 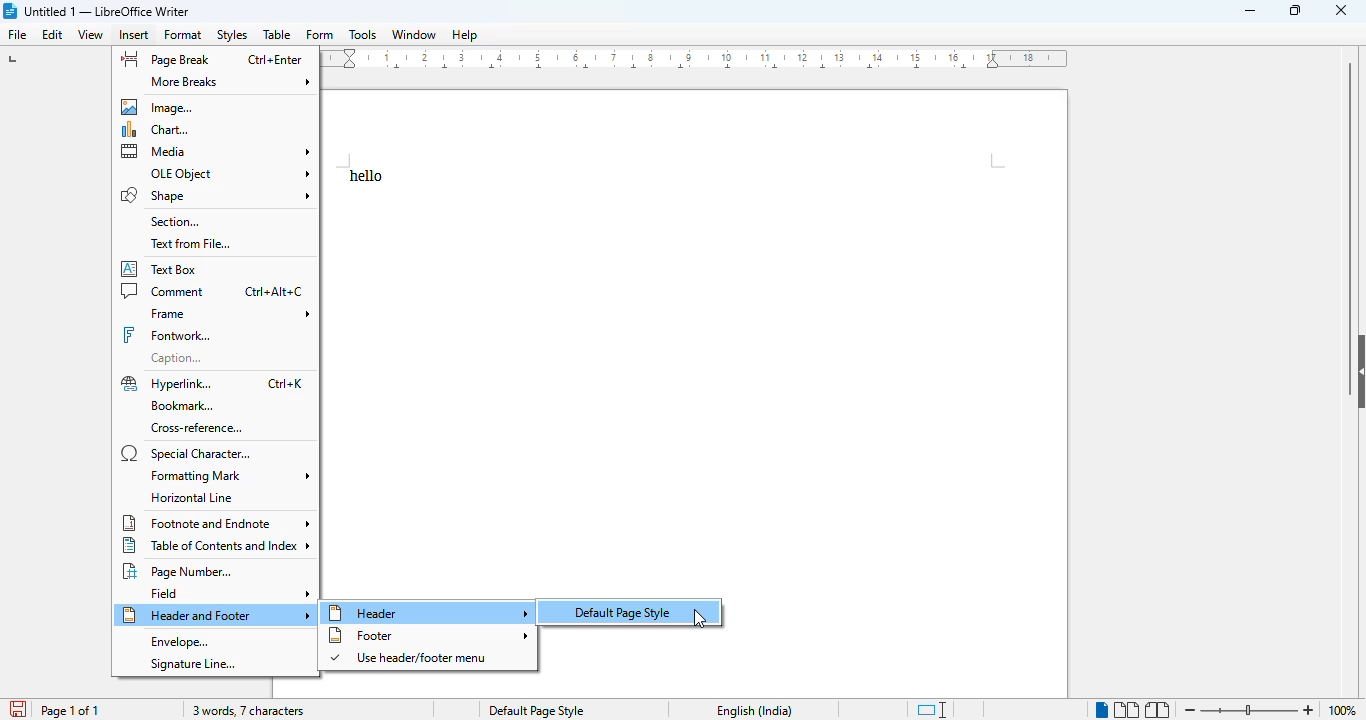 I want to click on horizontal line, so click(x=194, y=497).